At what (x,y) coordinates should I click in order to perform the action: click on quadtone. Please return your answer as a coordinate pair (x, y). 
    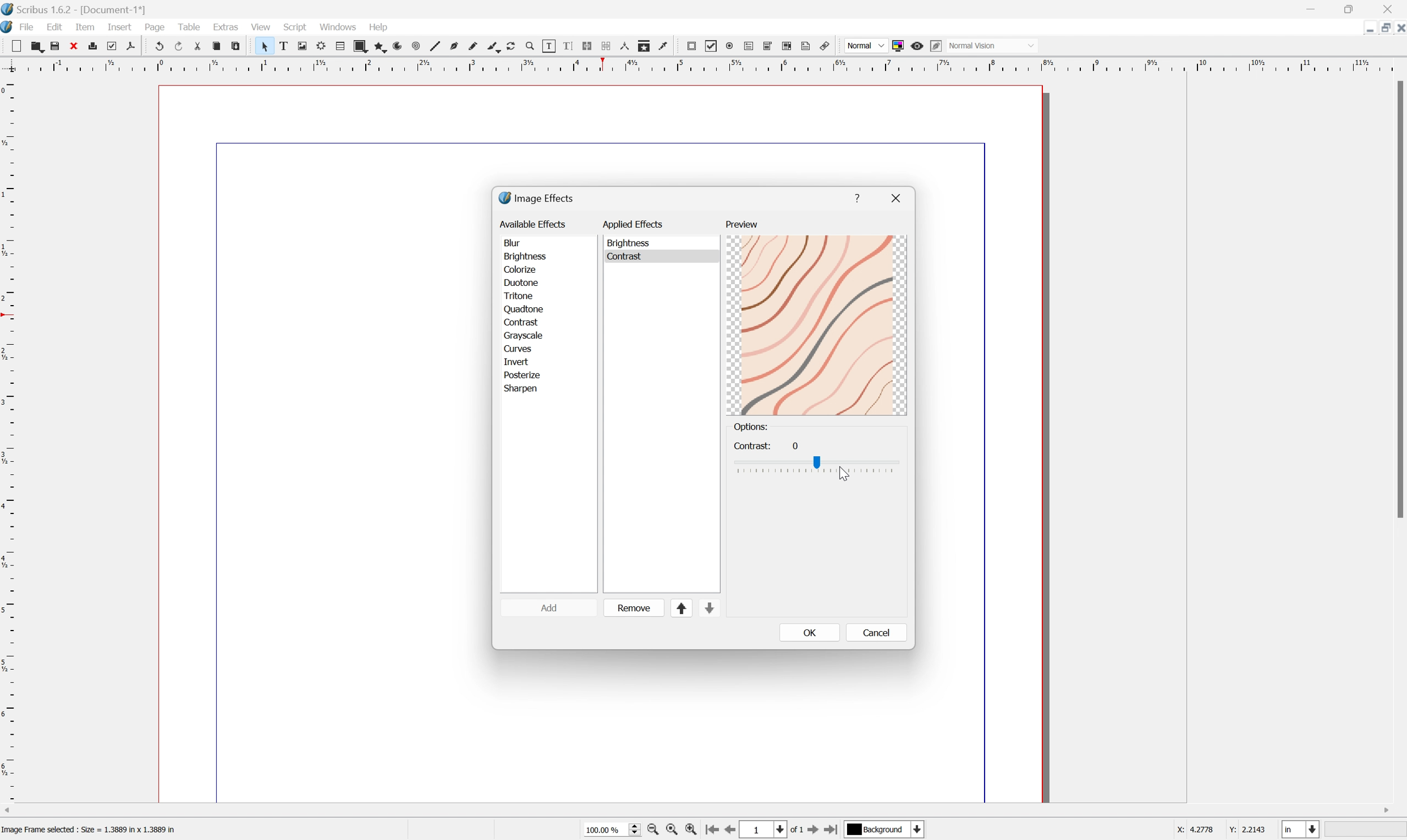
    Looking at the image, I should click on (523, 307).